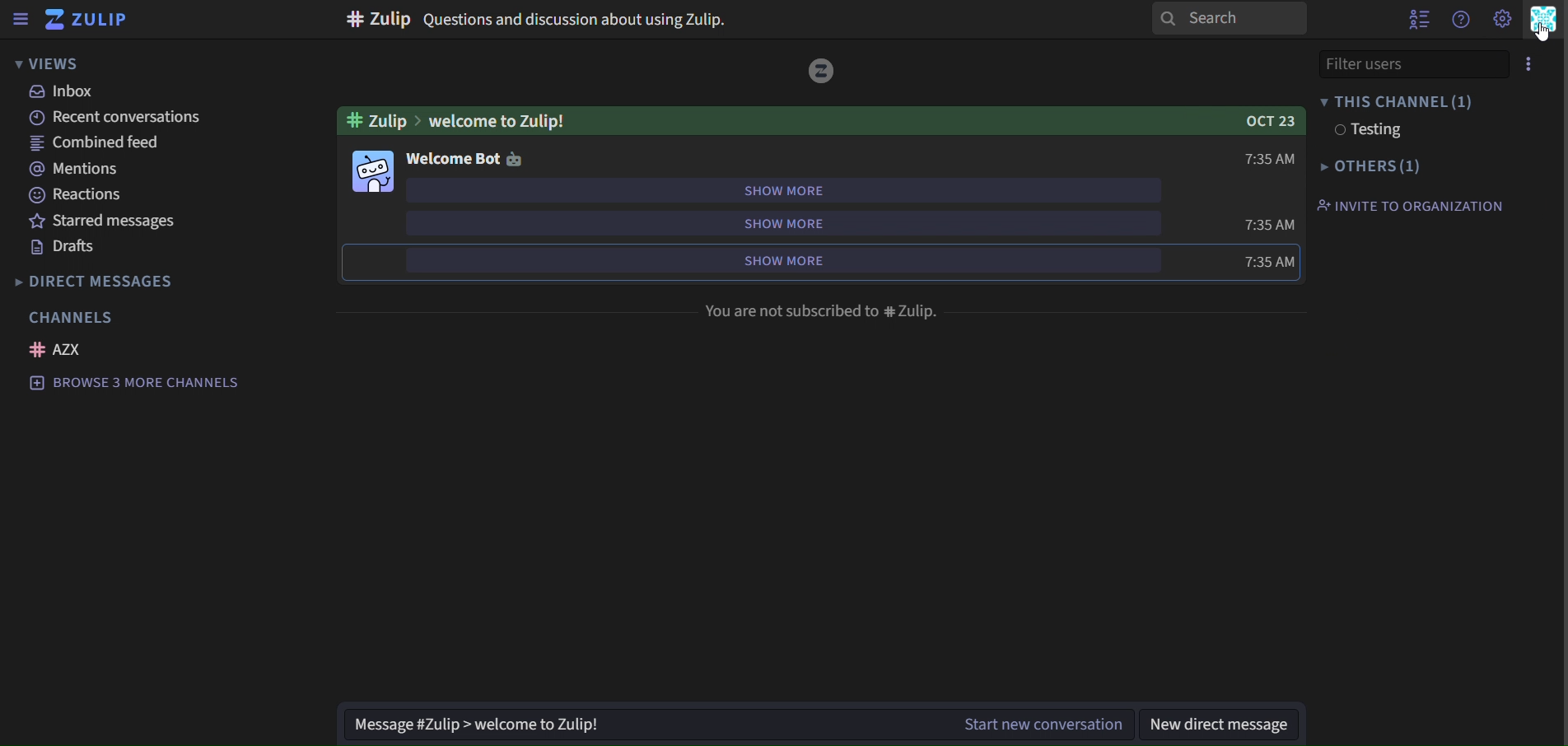  I want to click on Questions and discussion about using Zulip, so click(579, 18).